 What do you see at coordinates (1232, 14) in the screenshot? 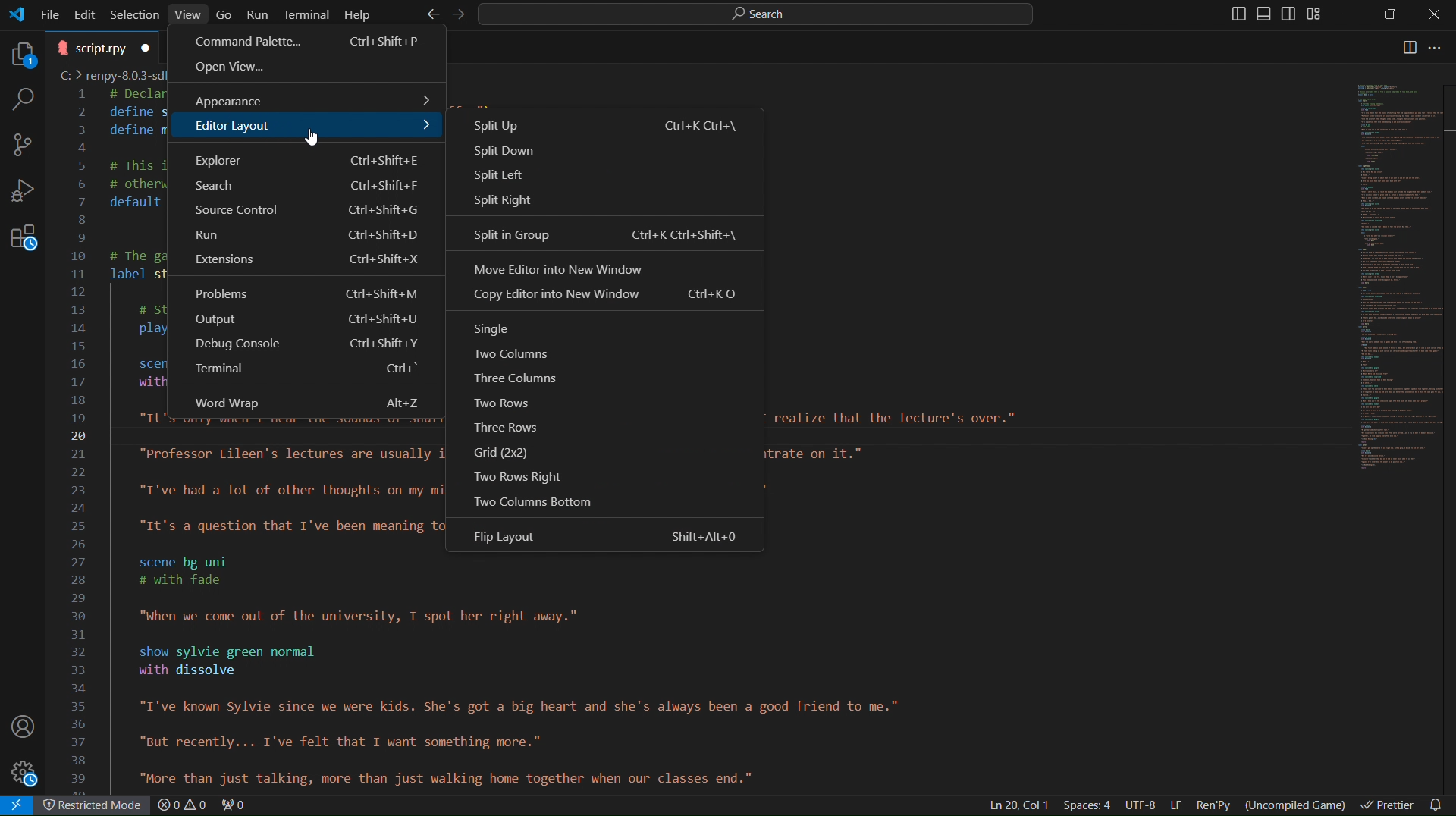
I see `Toggle Primary Side Bar` at bounding box center [1232, 14].